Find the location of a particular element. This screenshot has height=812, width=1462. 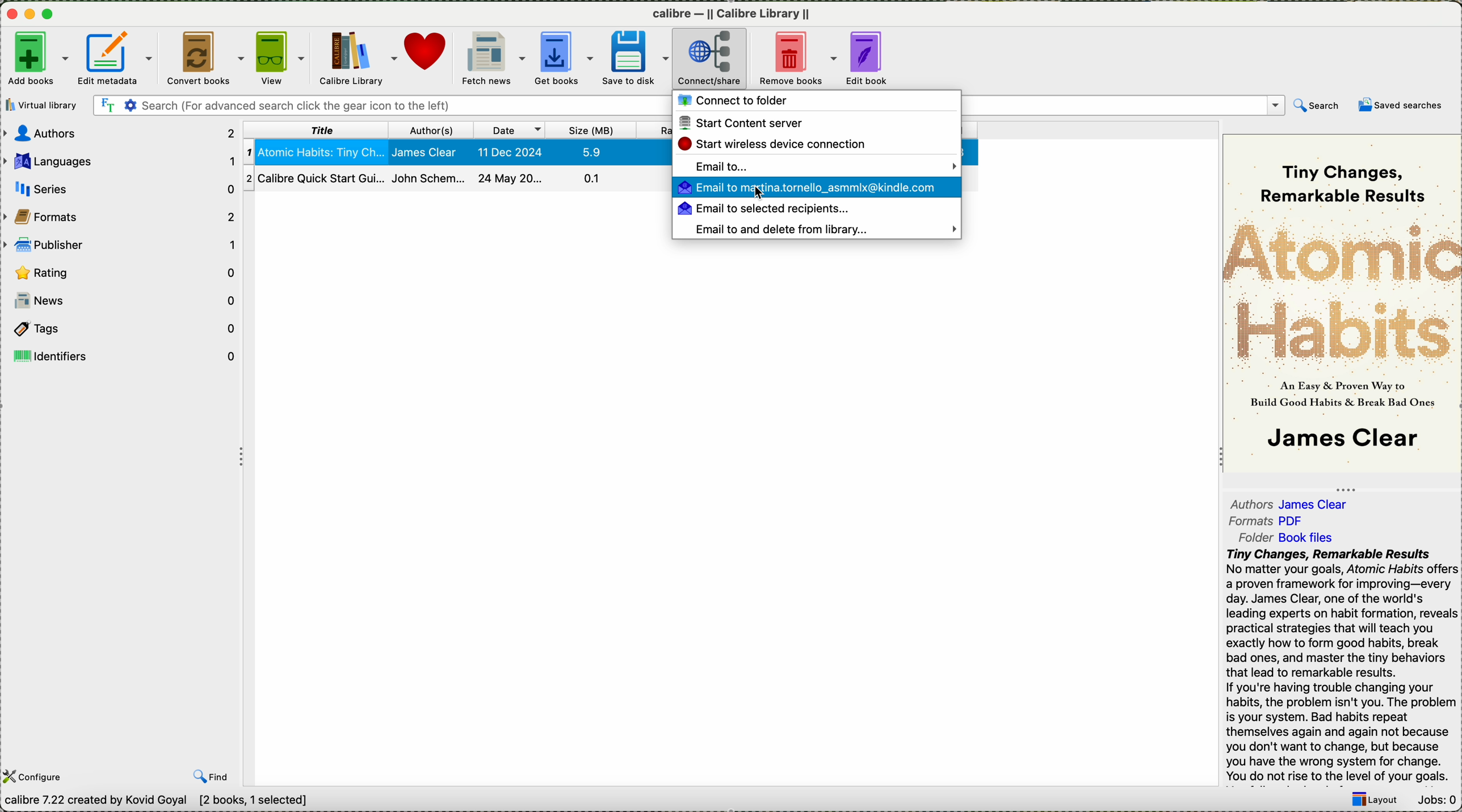

identifiers is located at coordinates (121, 356).